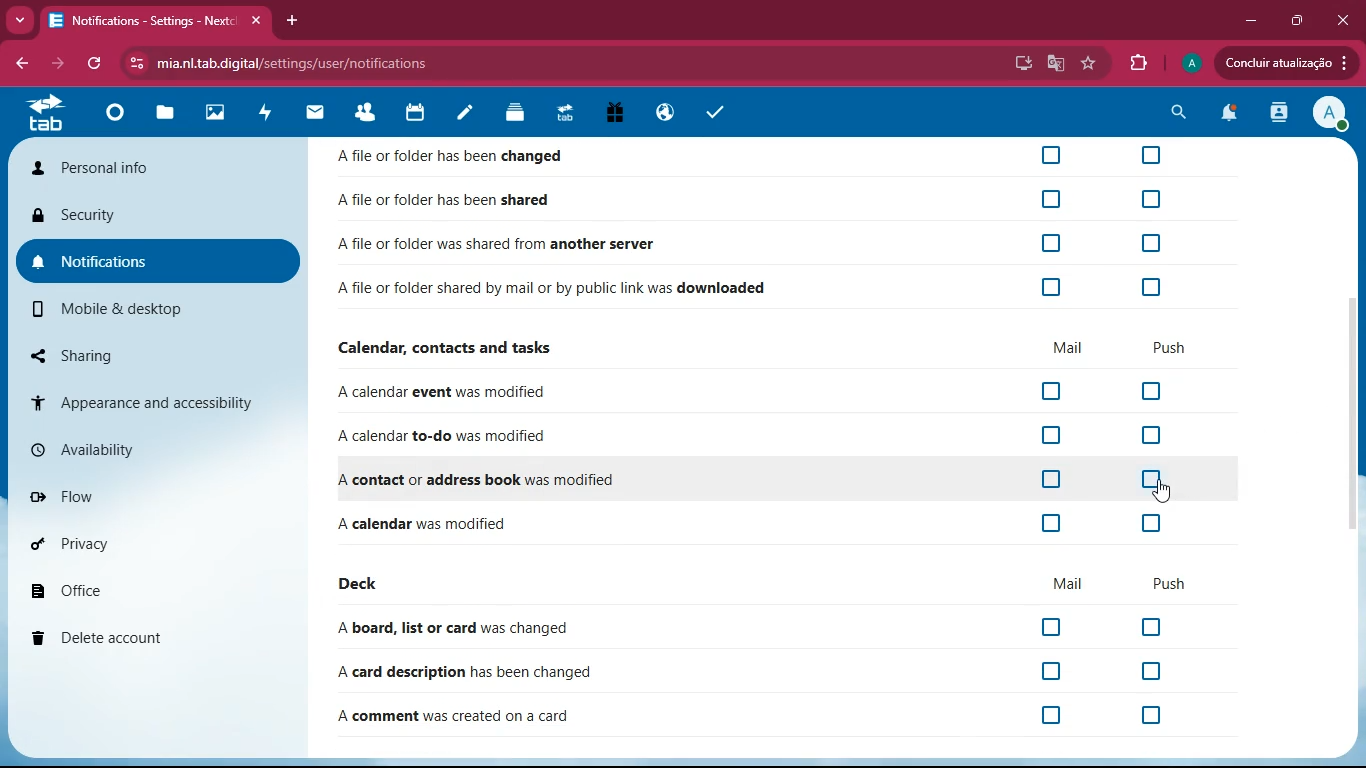 Image resolution: width=1366 pixels, height=768 pixels. Describe the element at coordinates (1168, 584) in the screenshot. I see `push` at that location.